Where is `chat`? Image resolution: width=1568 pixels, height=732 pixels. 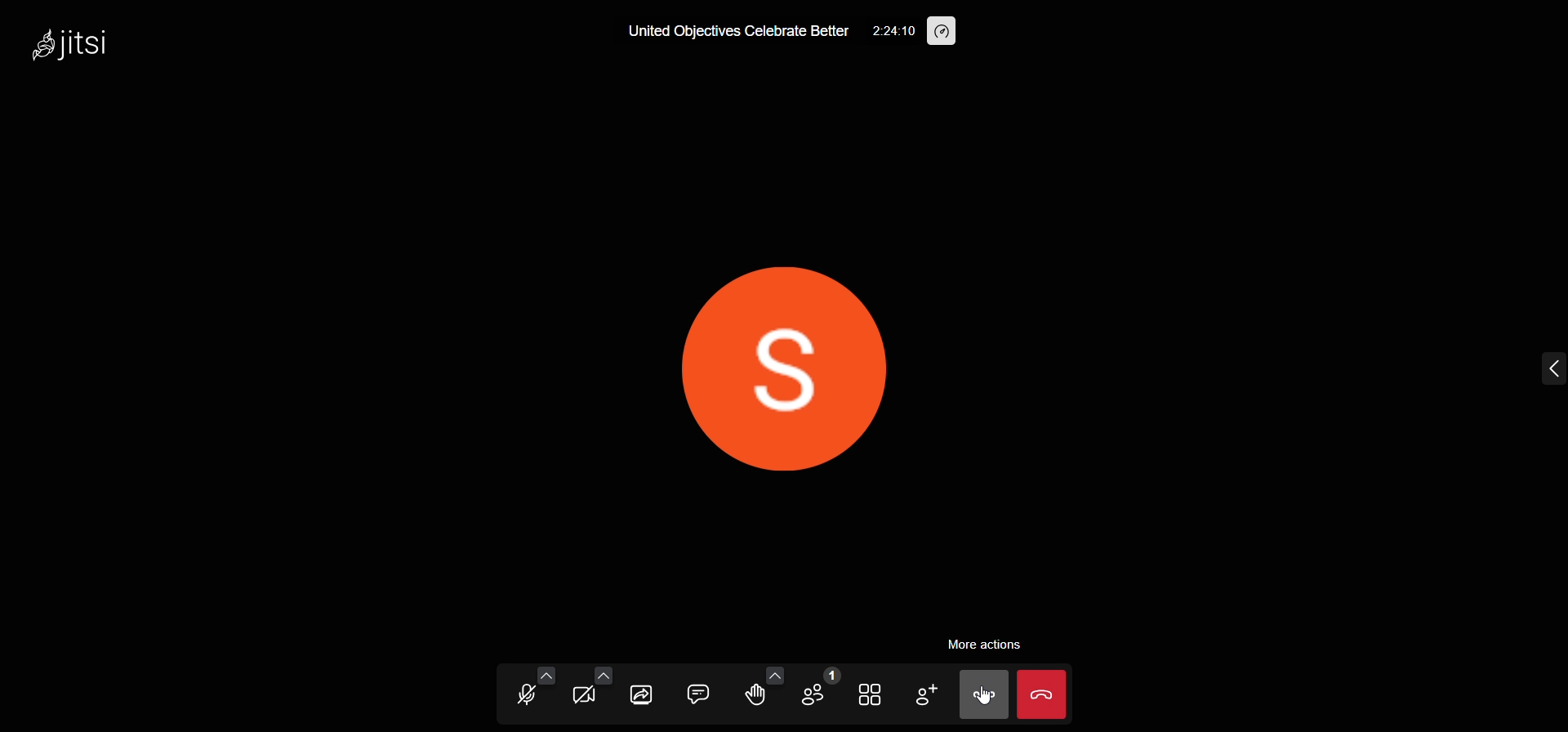 chat is located at coordinates (697, 692).